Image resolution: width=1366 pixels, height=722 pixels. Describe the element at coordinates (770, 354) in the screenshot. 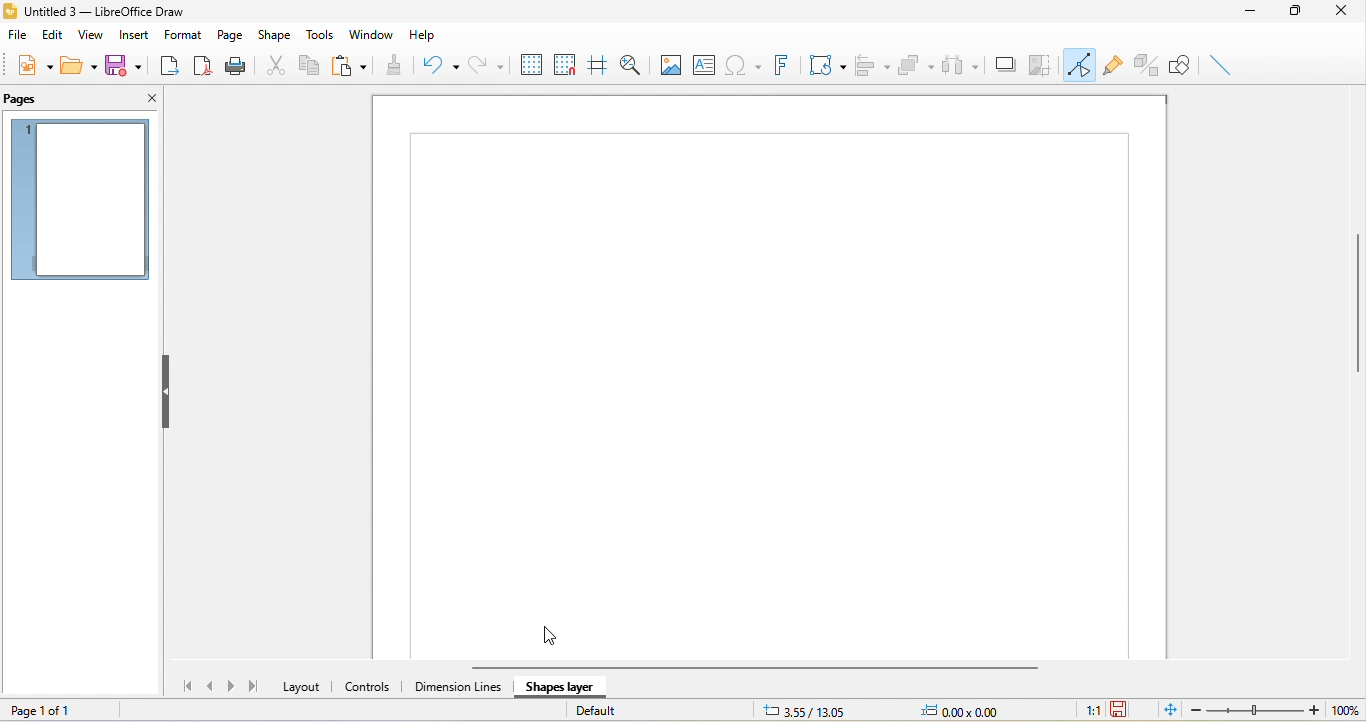

I see `Page` at that location.